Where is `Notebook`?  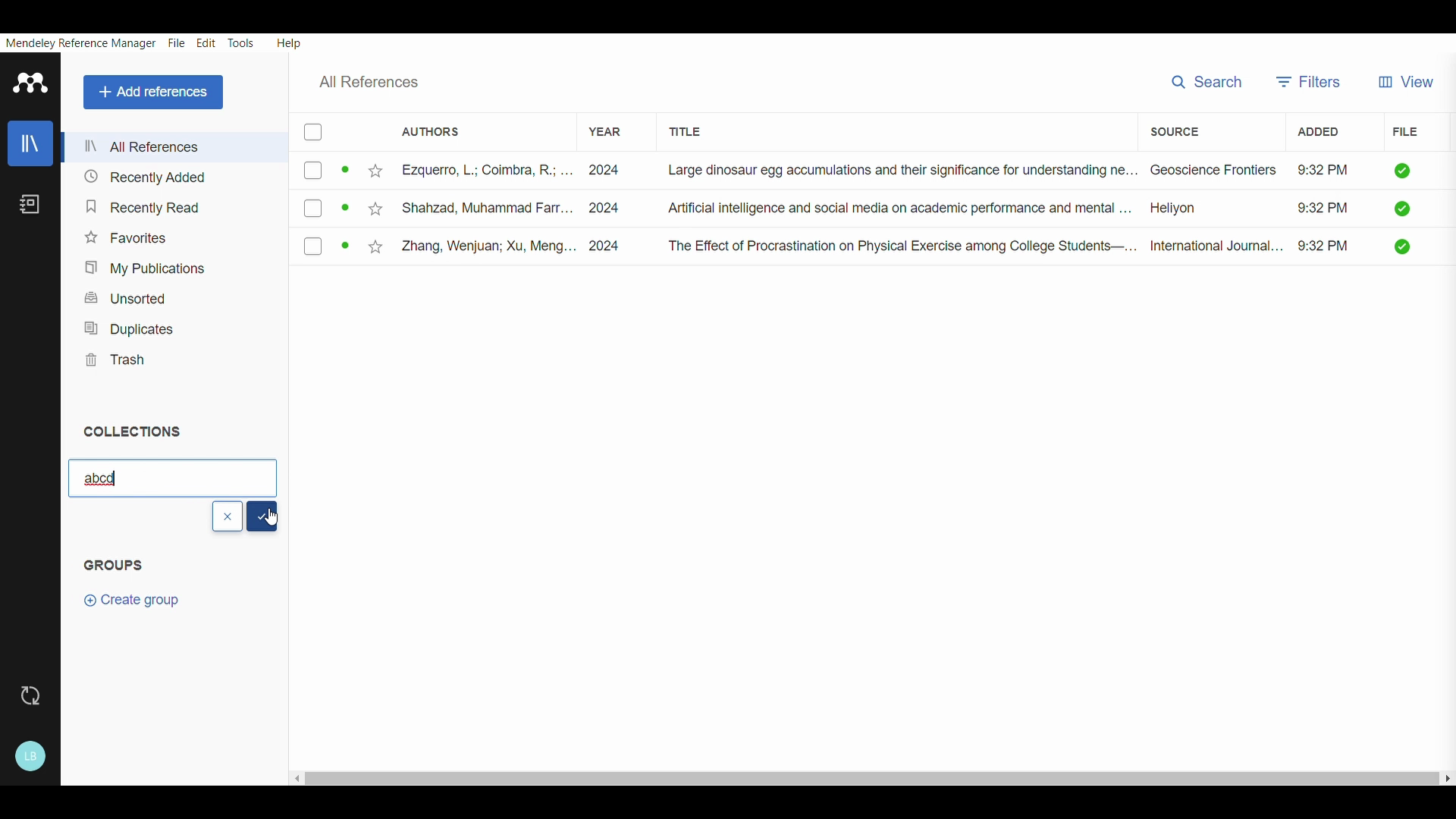
Notebook is located at coordinates (32, 206).